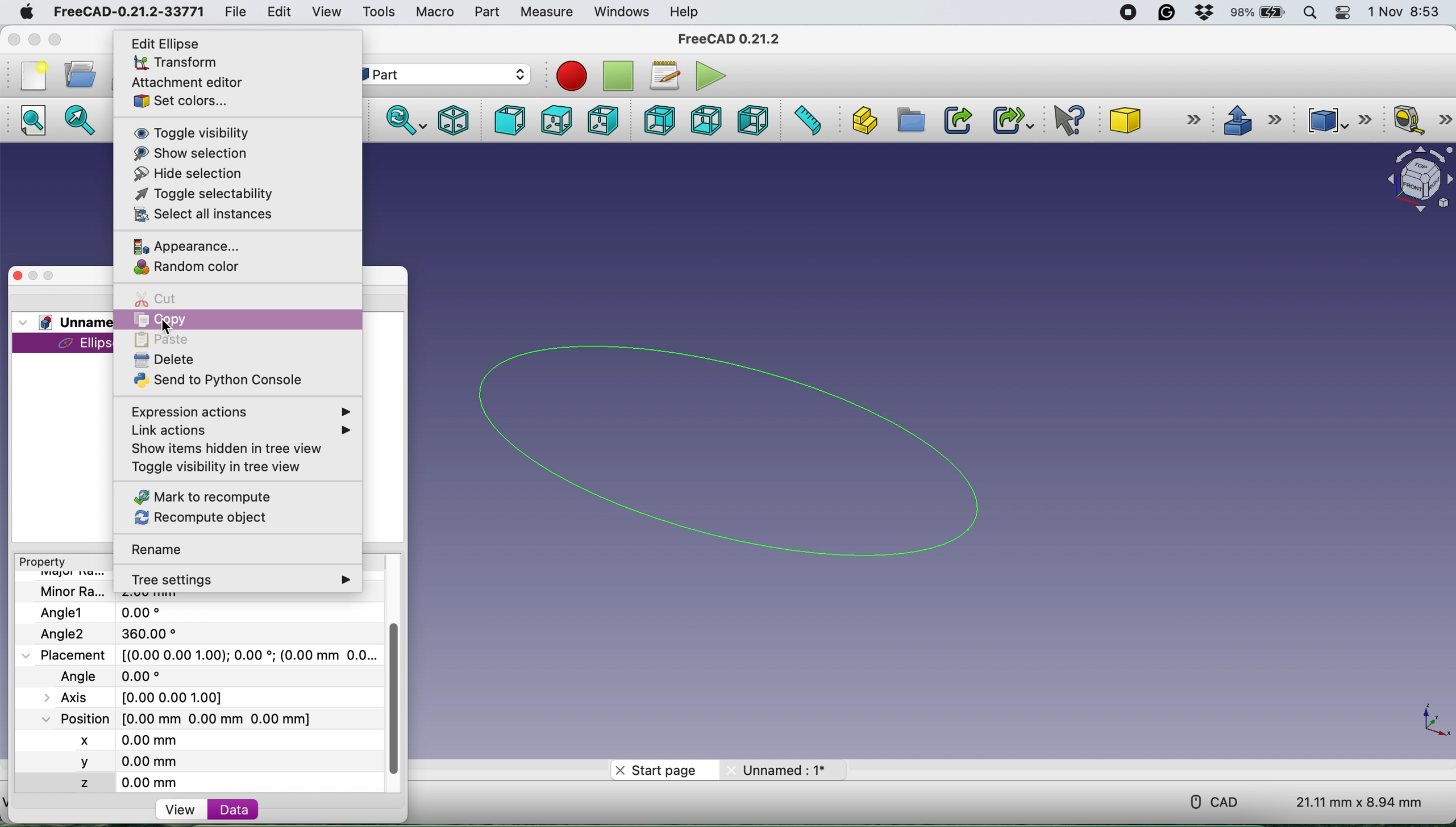  What do you see at coordinates (234, 809) in the screenshot?
I see `data` at bounding box center [234, 809].